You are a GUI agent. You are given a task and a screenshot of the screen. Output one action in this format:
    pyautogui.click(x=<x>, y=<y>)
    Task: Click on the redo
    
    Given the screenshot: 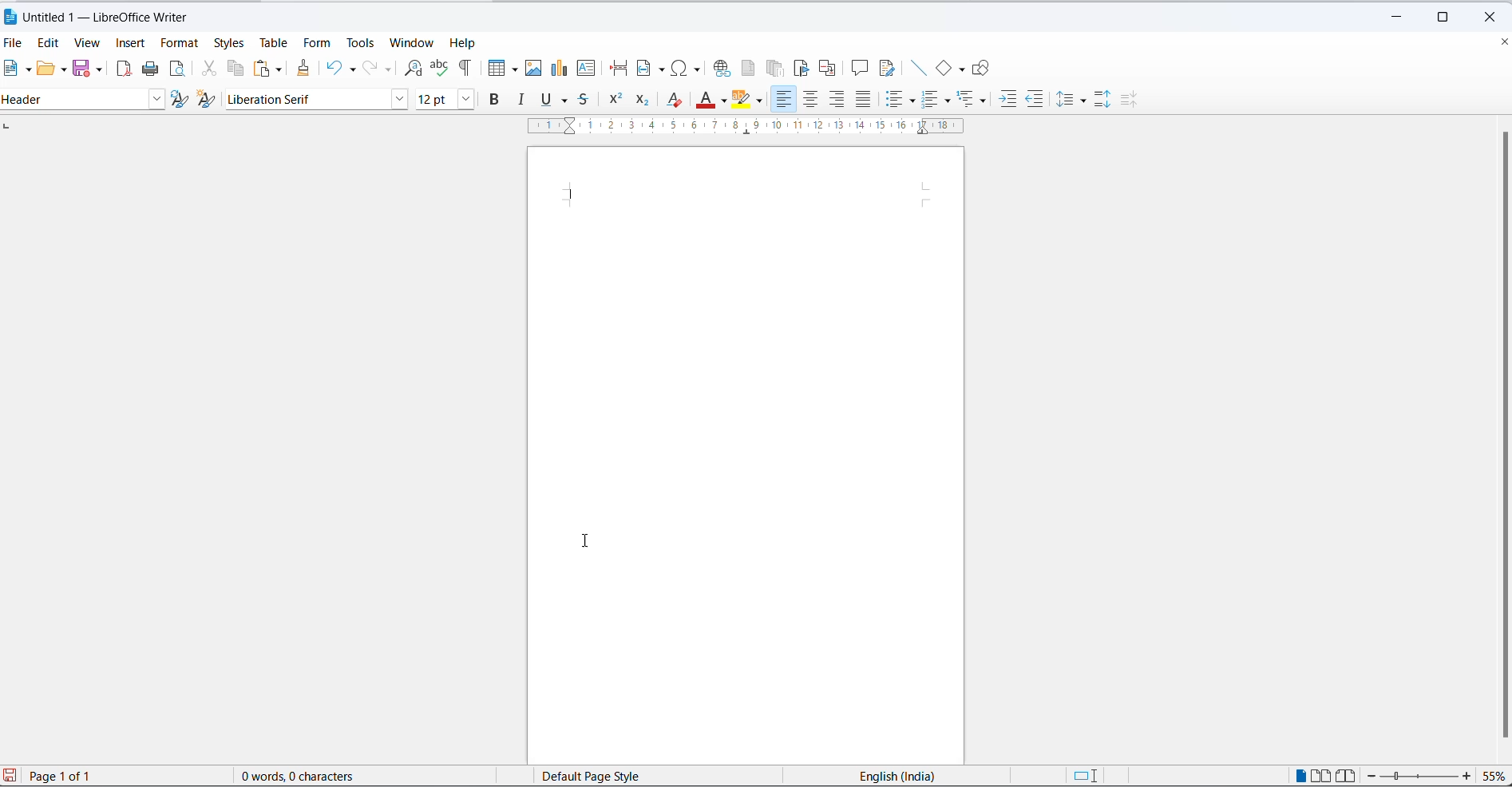 What is the action you would take?
    pyautogui.click(x=369, y=69)
    